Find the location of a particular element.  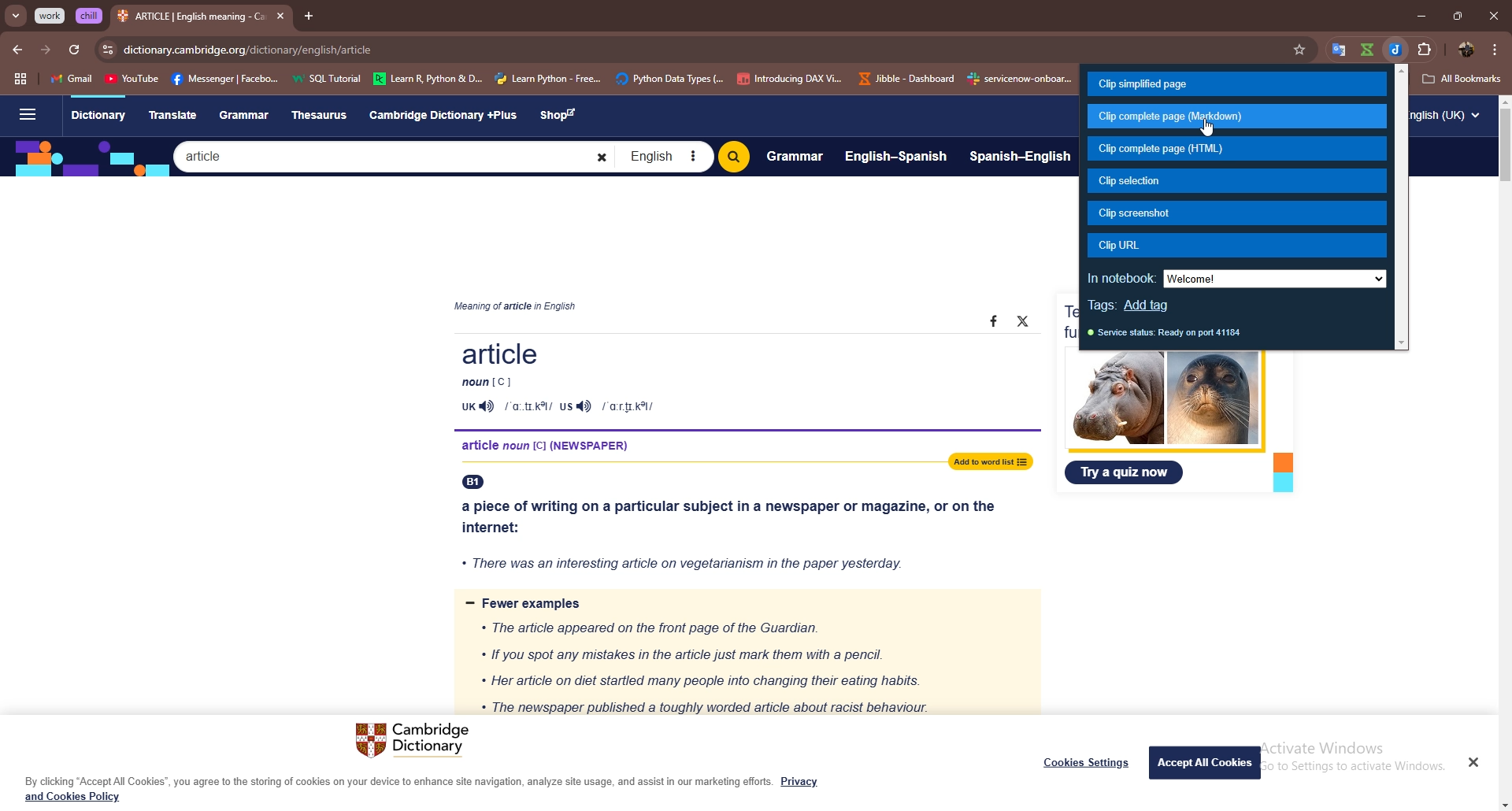

minimize is located at coordinates (1421, 15).